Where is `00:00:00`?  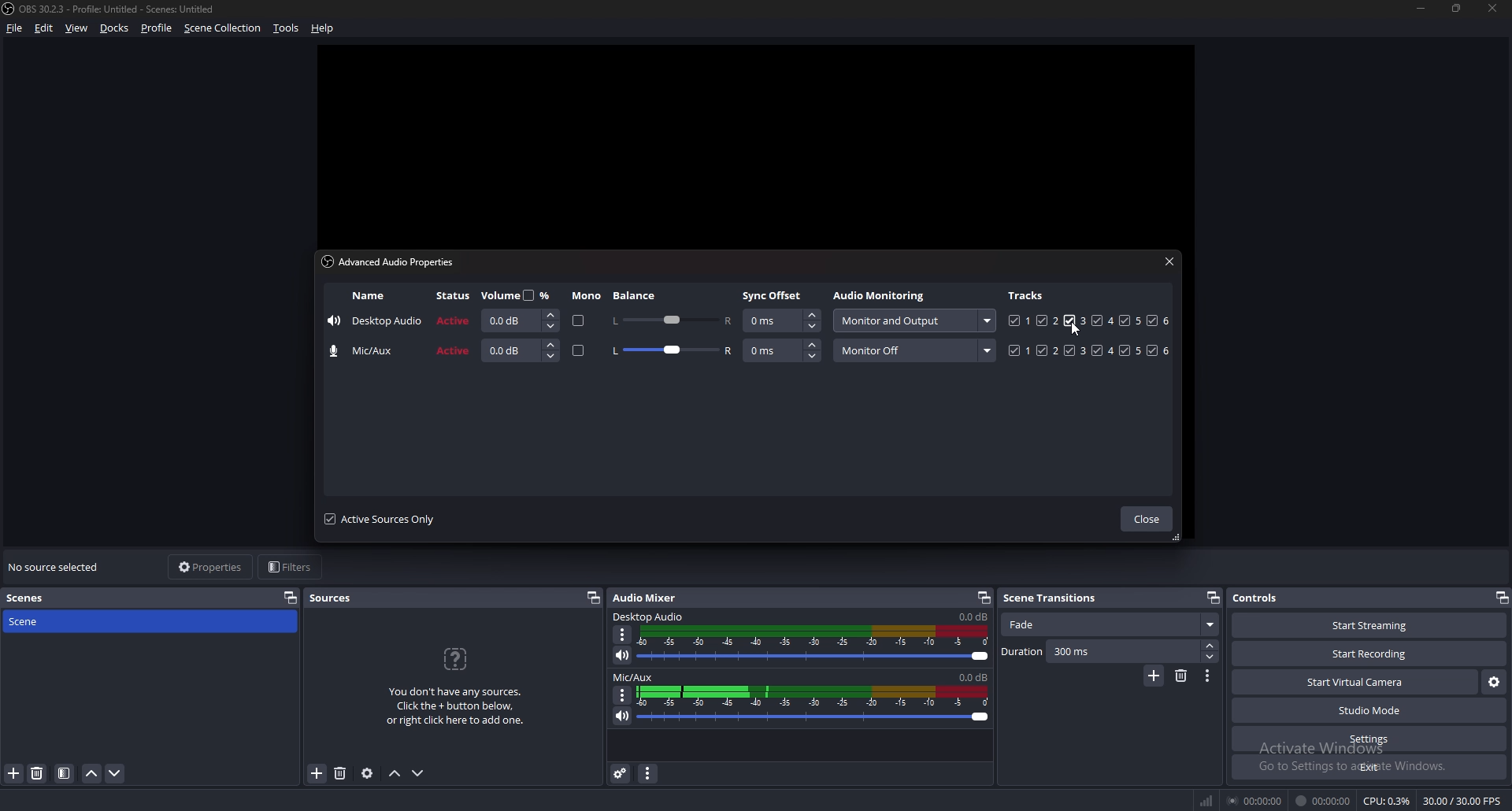 00:00:00 is located at coordinates (1257, 800).